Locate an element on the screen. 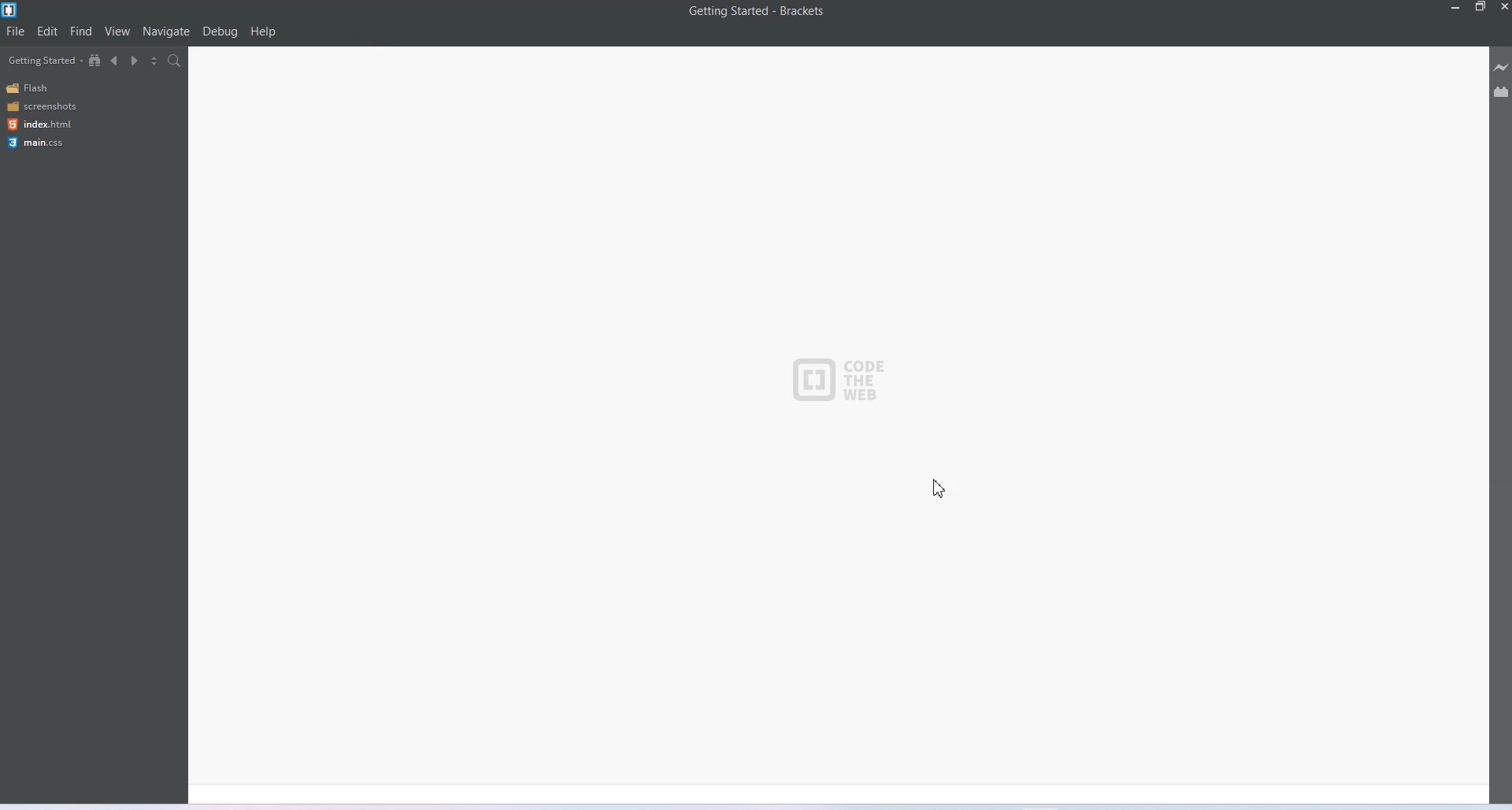 This screenshot has width=1512, height=810. Cursor is located at coordinates (937, 490).